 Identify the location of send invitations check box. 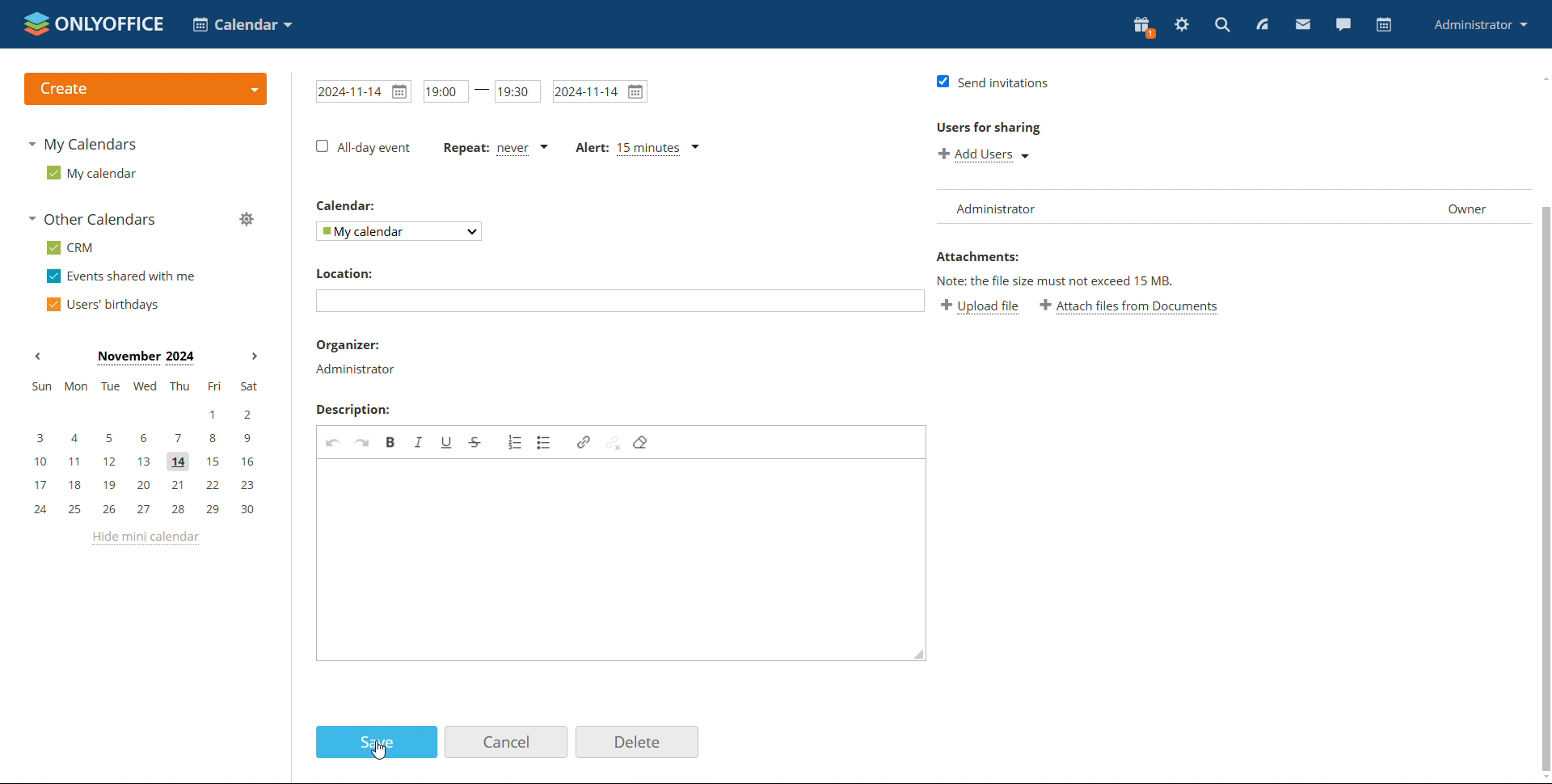
(997, 84).